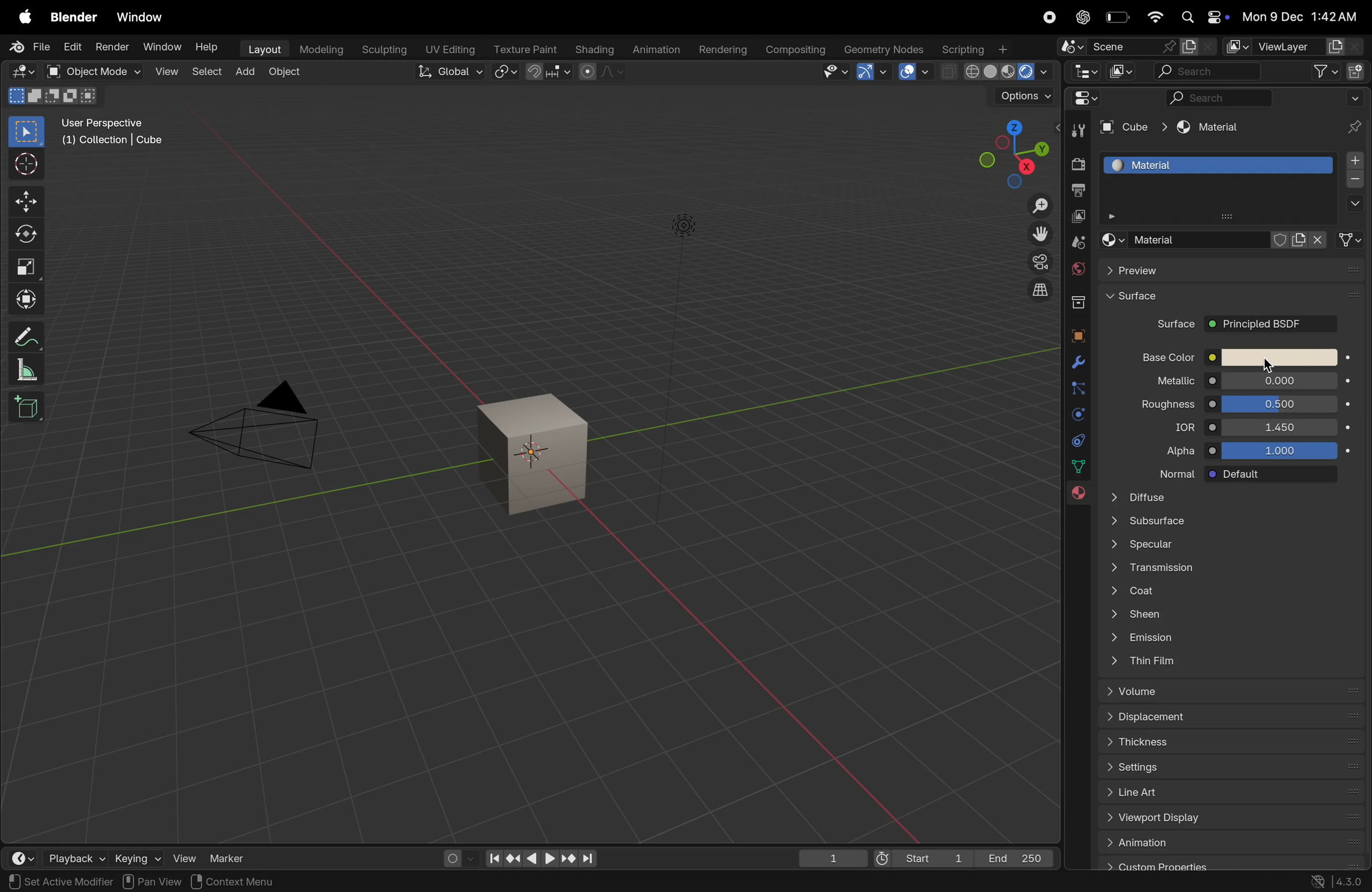 Image resolution: width=1372 pixels, height=892 pixels. I want to click on material, so click(1219, 164).